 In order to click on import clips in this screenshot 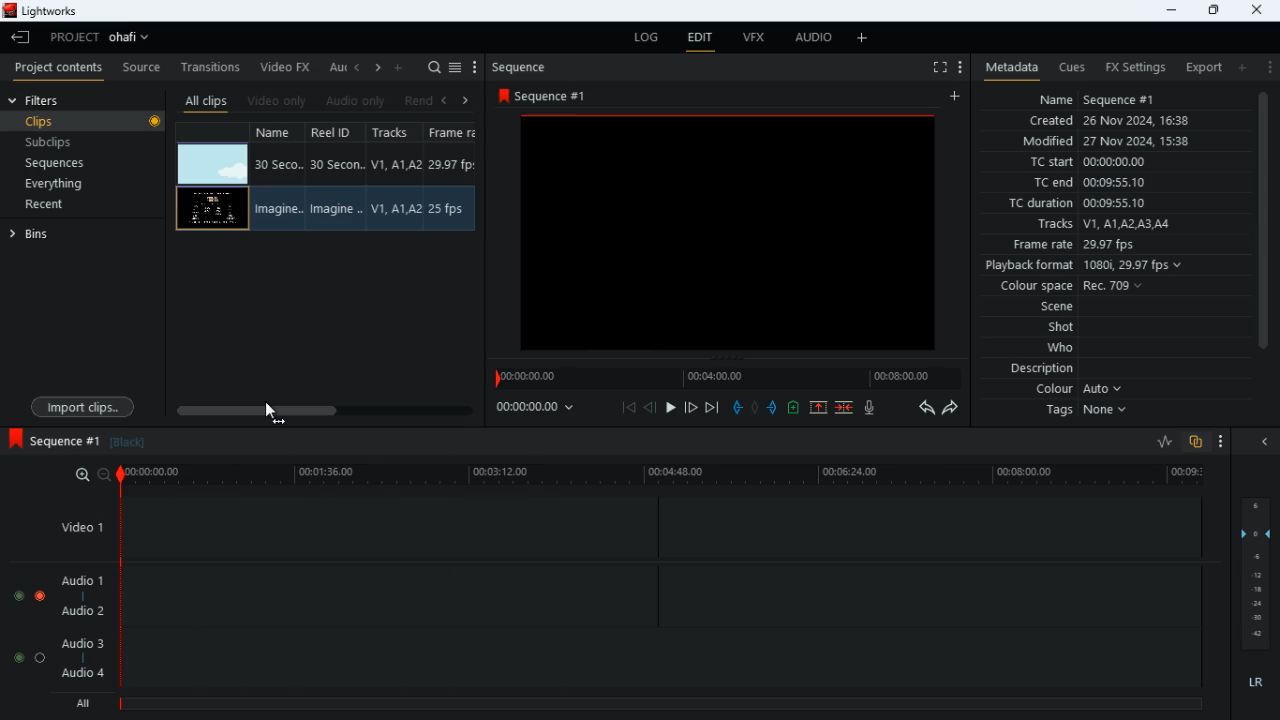, I will do `click(86, 405)`.